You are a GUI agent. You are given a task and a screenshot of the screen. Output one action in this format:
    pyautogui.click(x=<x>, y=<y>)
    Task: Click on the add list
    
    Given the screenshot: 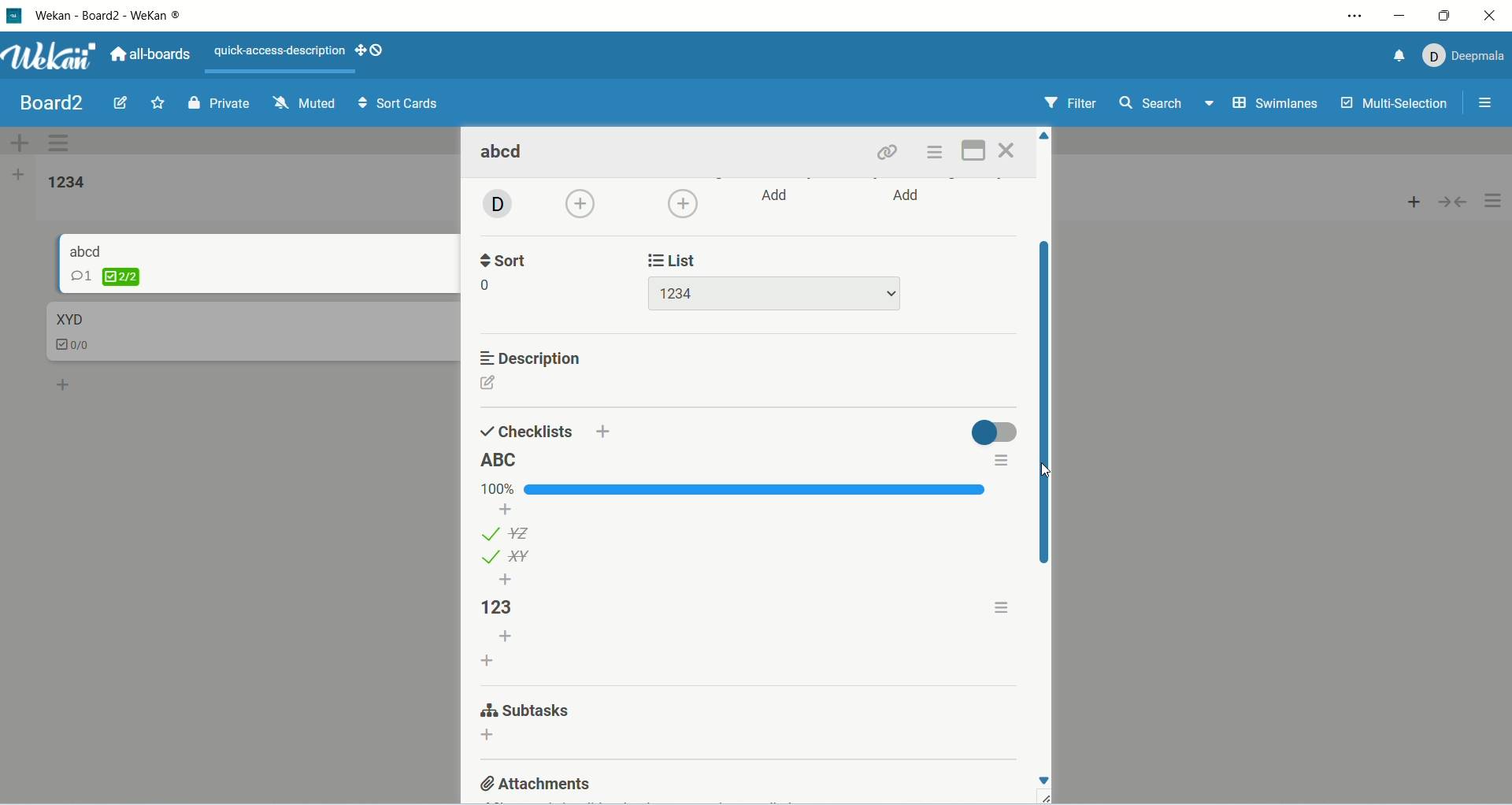 What is the action you would take?
    pyautogui.click(x=20, y=175)
    